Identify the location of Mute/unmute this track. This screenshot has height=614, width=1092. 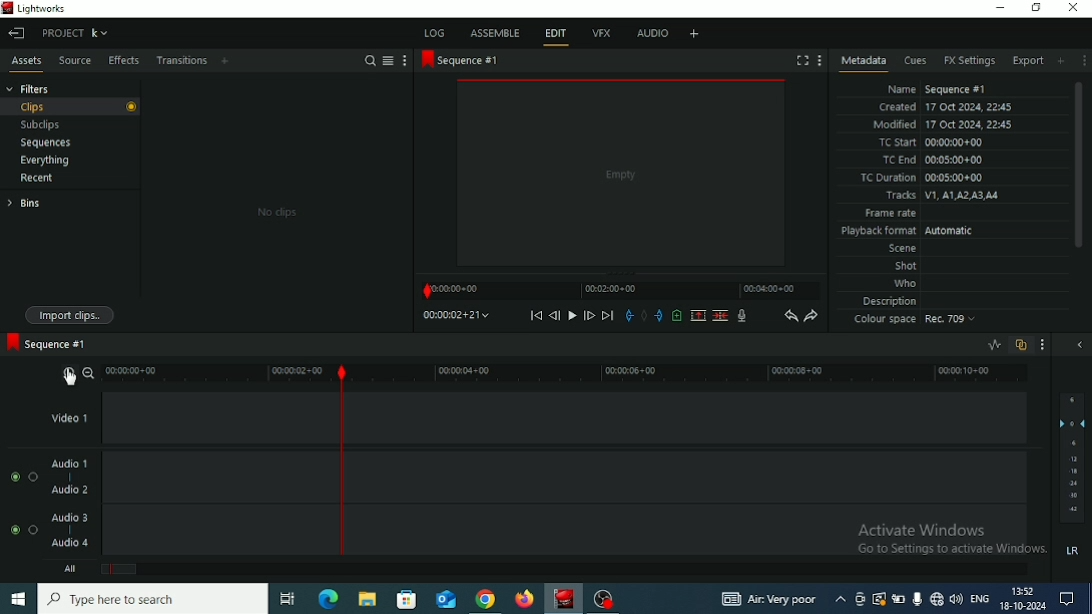
(16, 476).